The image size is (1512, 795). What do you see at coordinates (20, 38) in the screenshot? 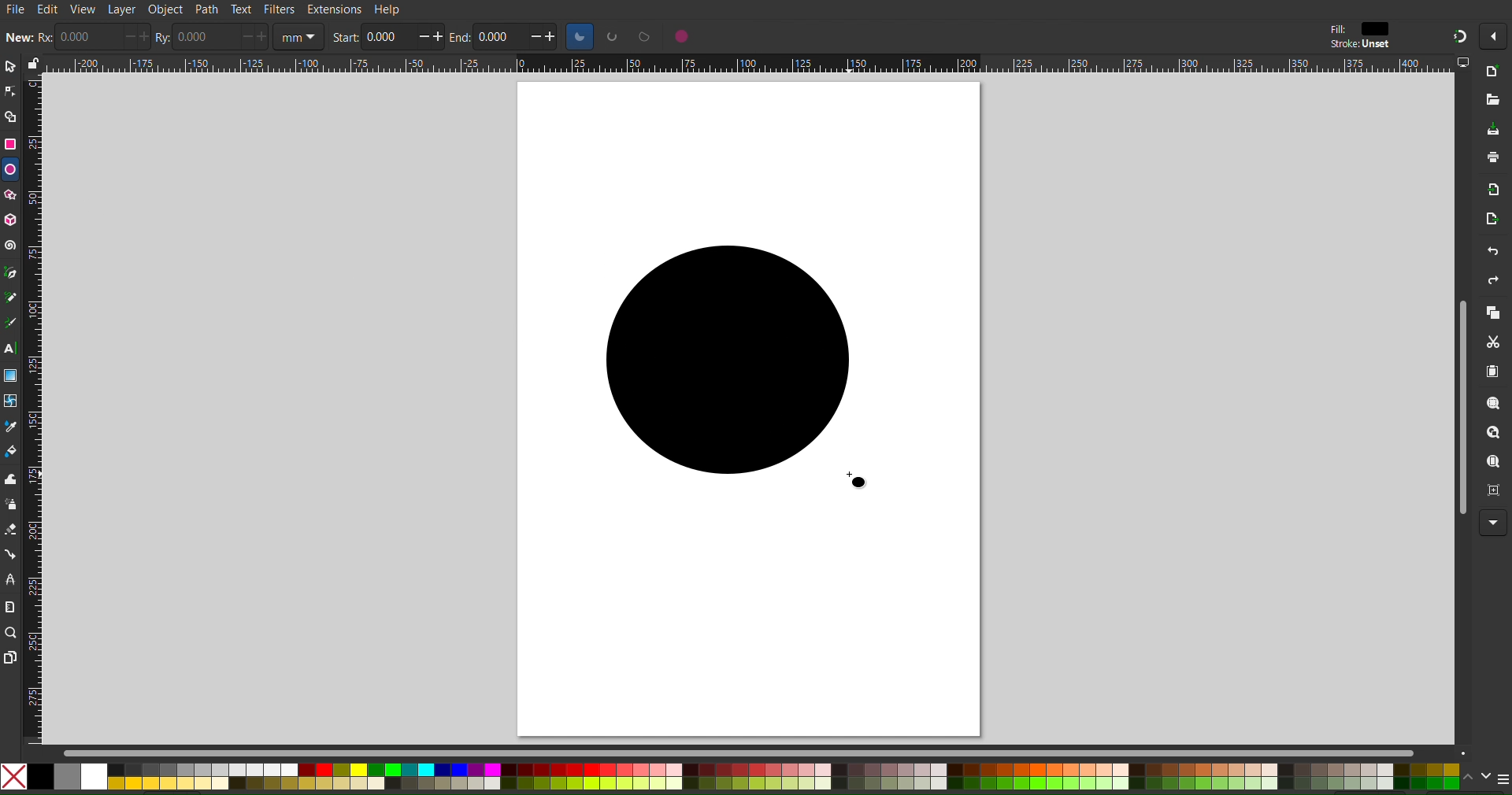
I see `new` at bounding box center [20, 38].